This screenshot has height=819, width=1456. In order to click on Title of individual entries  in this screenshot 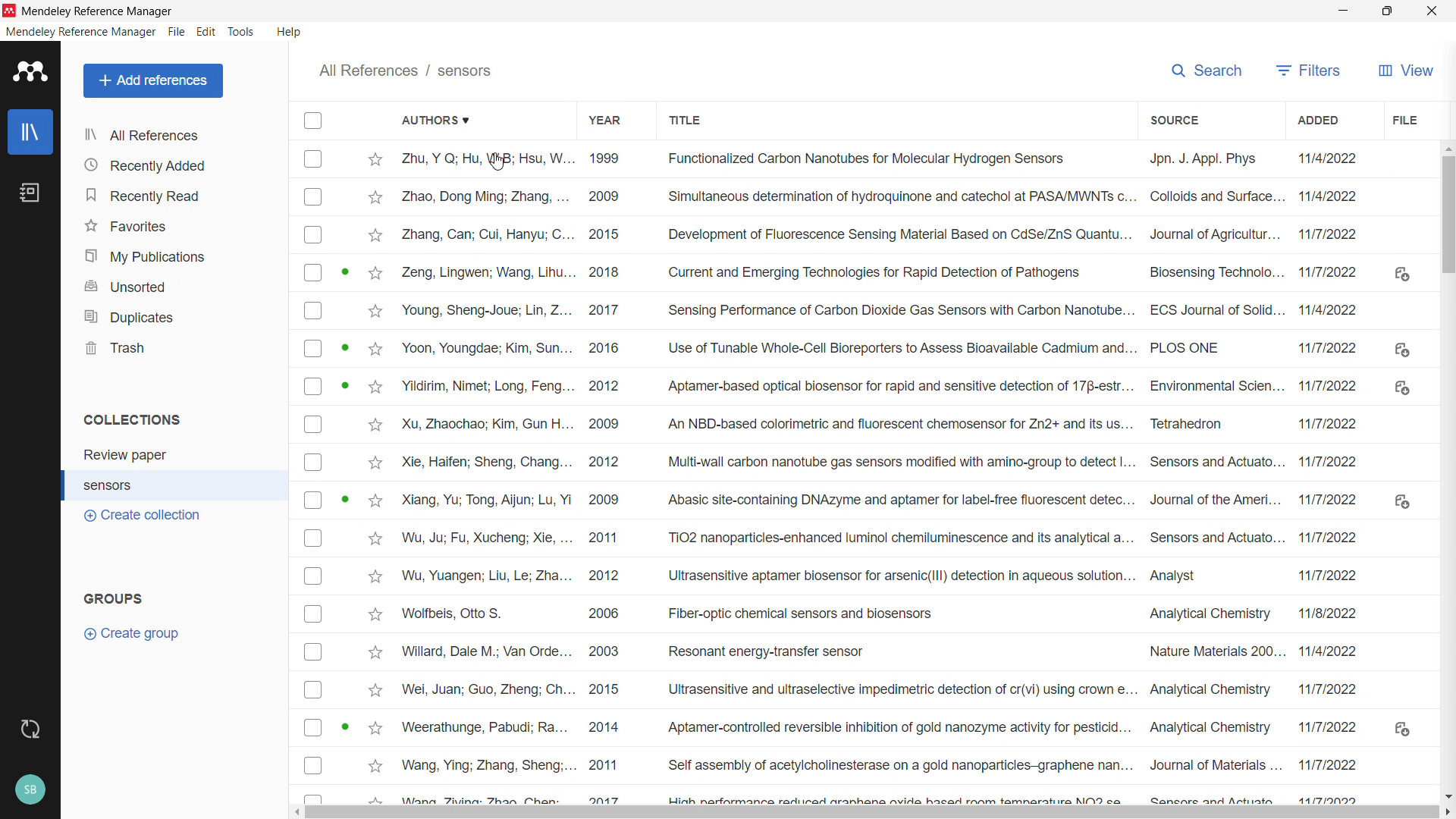, I will do `click(896, 475)`.